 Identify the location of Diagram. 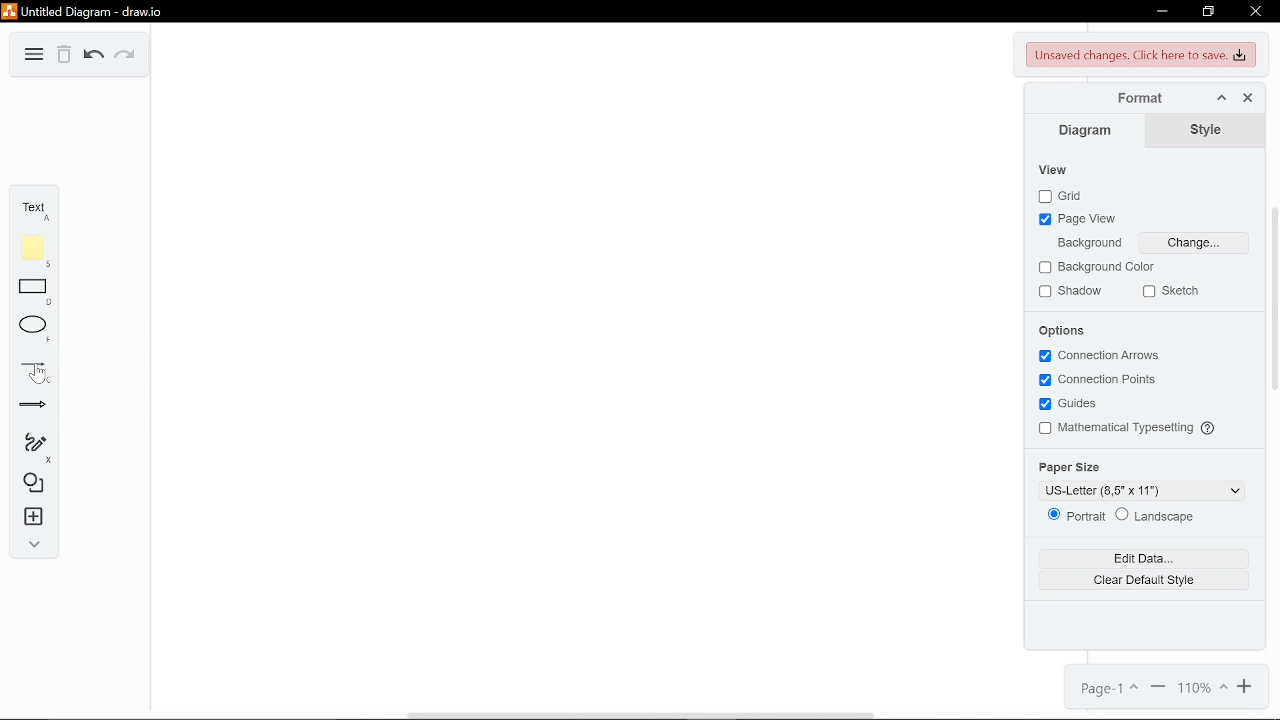
(1085, 130).